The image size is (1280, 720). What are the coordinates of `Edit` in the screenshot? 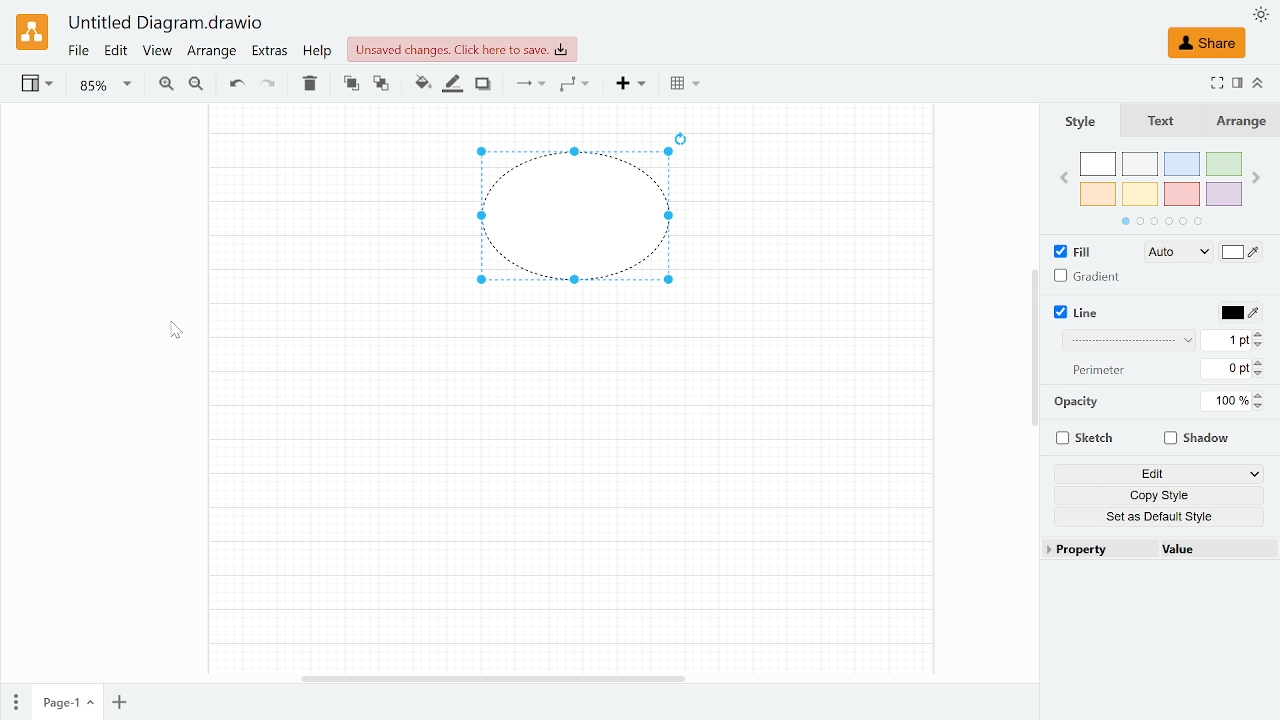 It's located at (115, 51).